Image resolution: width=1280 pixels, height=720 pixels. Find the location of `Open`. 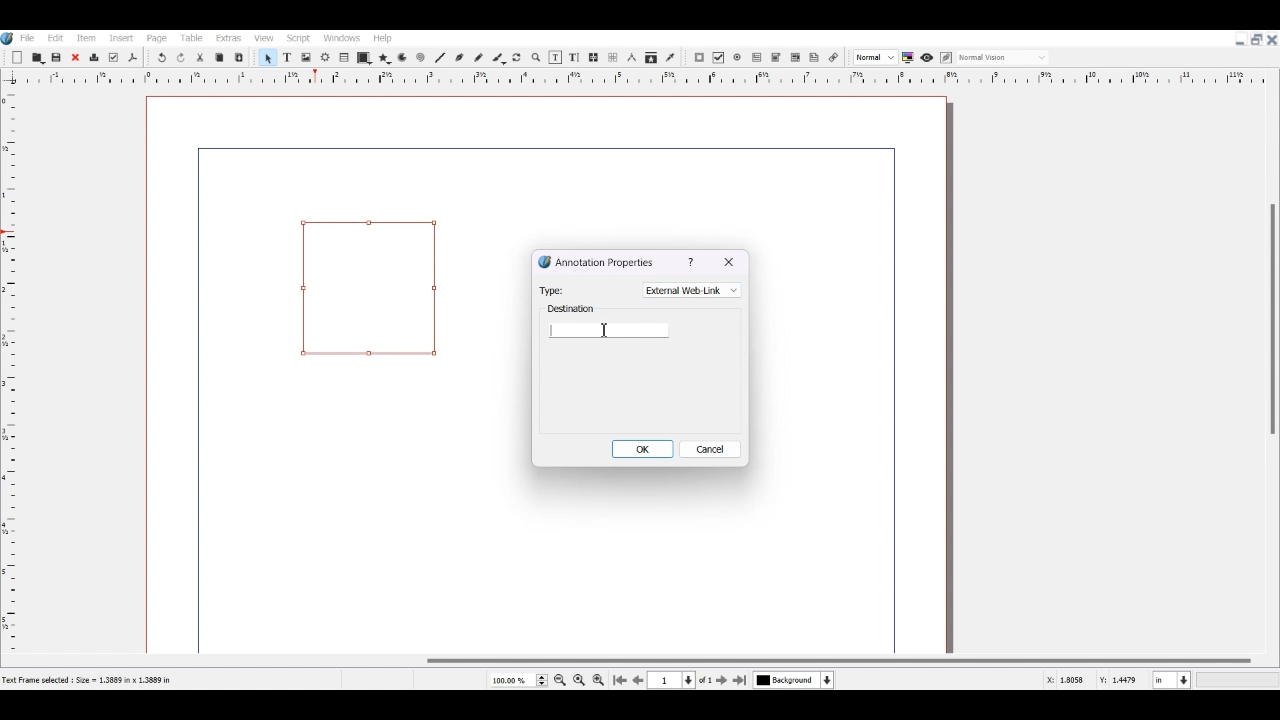

Open is located at coordinates (39, 57).